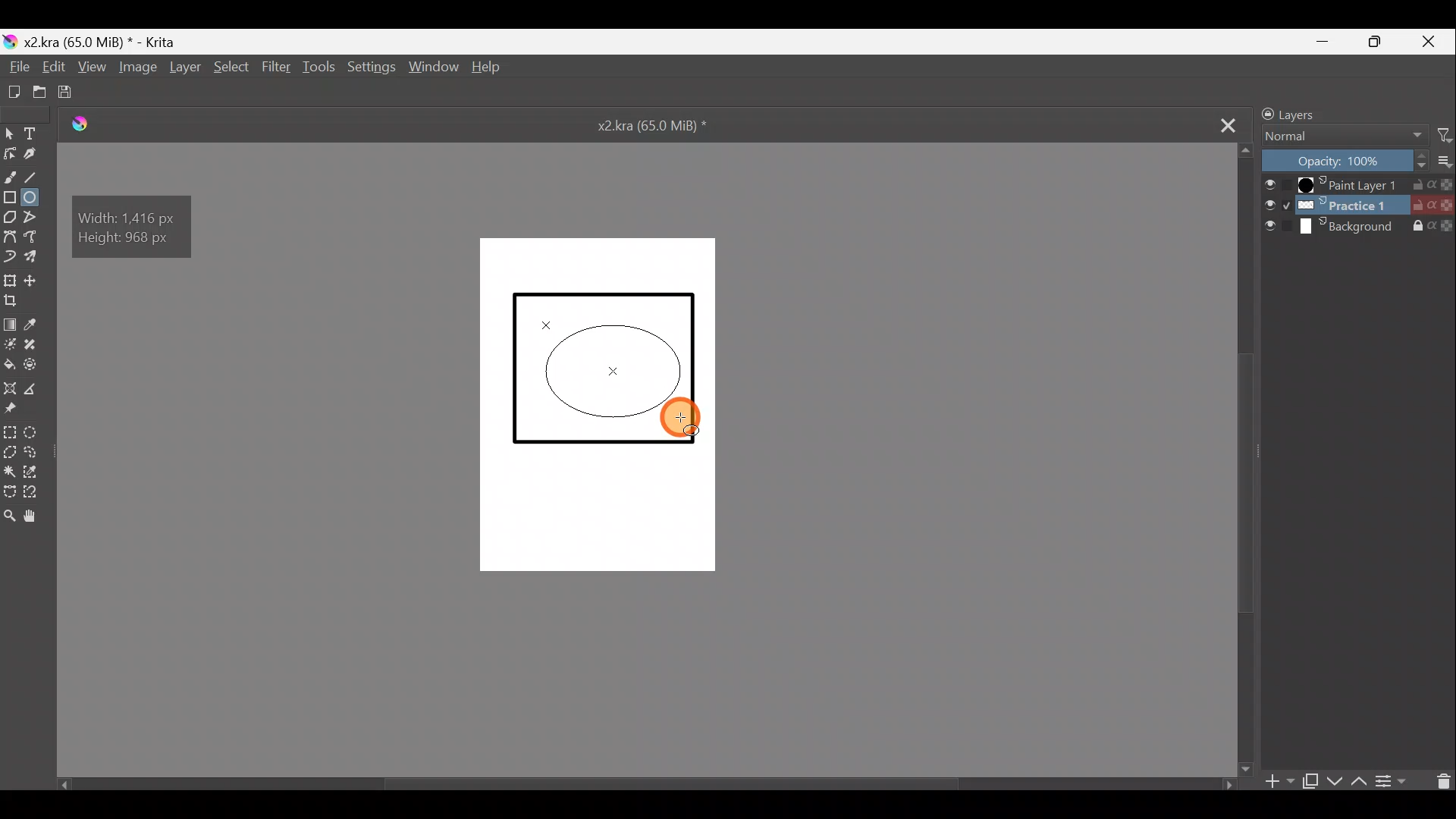 This screenshot has width=1456, height=819. Describe the element at coordinates (1339, 160) in the screenshot. I see `Opacity: 100%` at that location.